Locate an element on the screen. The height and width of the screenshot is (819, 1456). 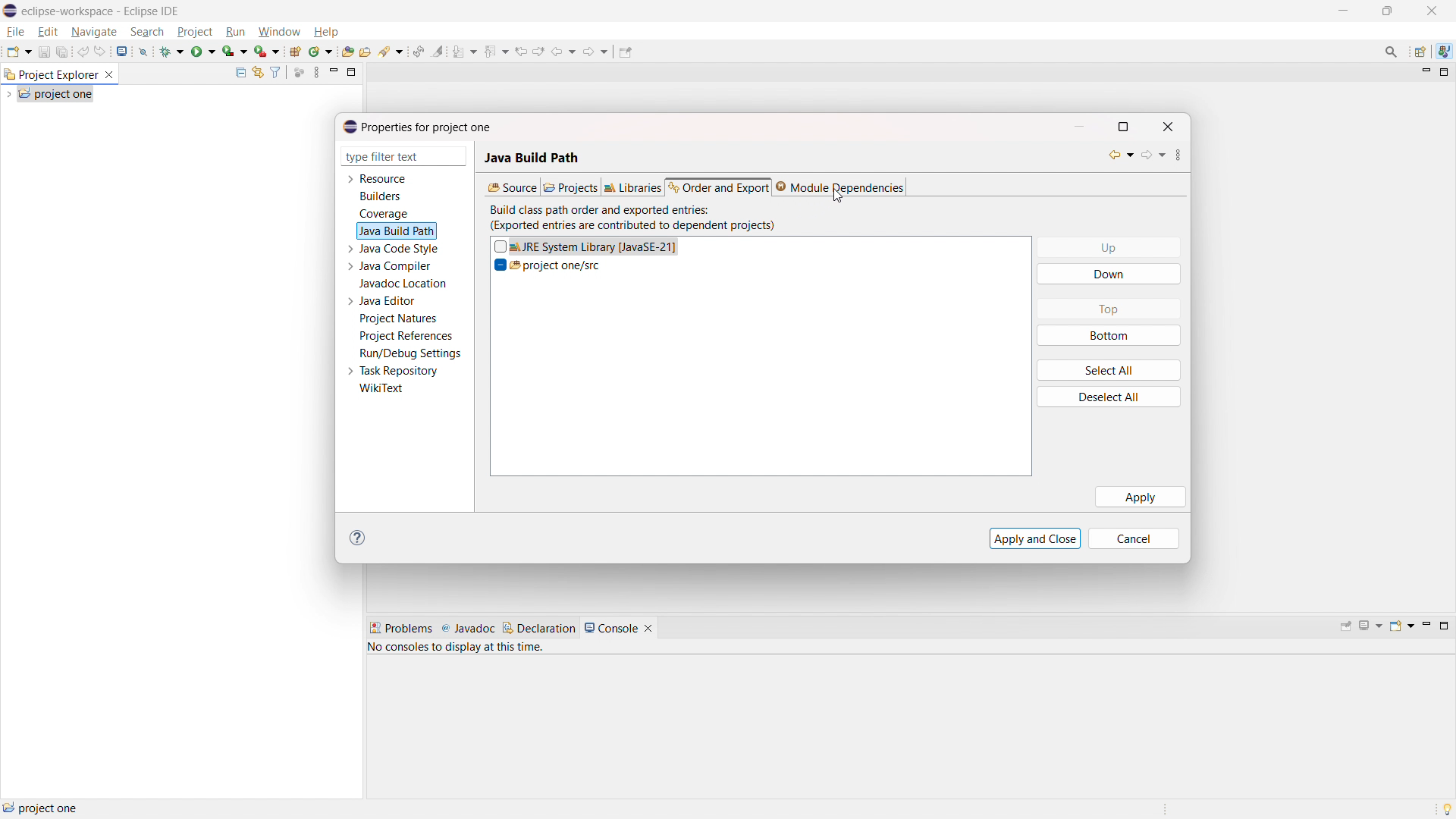
module dependencies is located at coordinates (839, 187).